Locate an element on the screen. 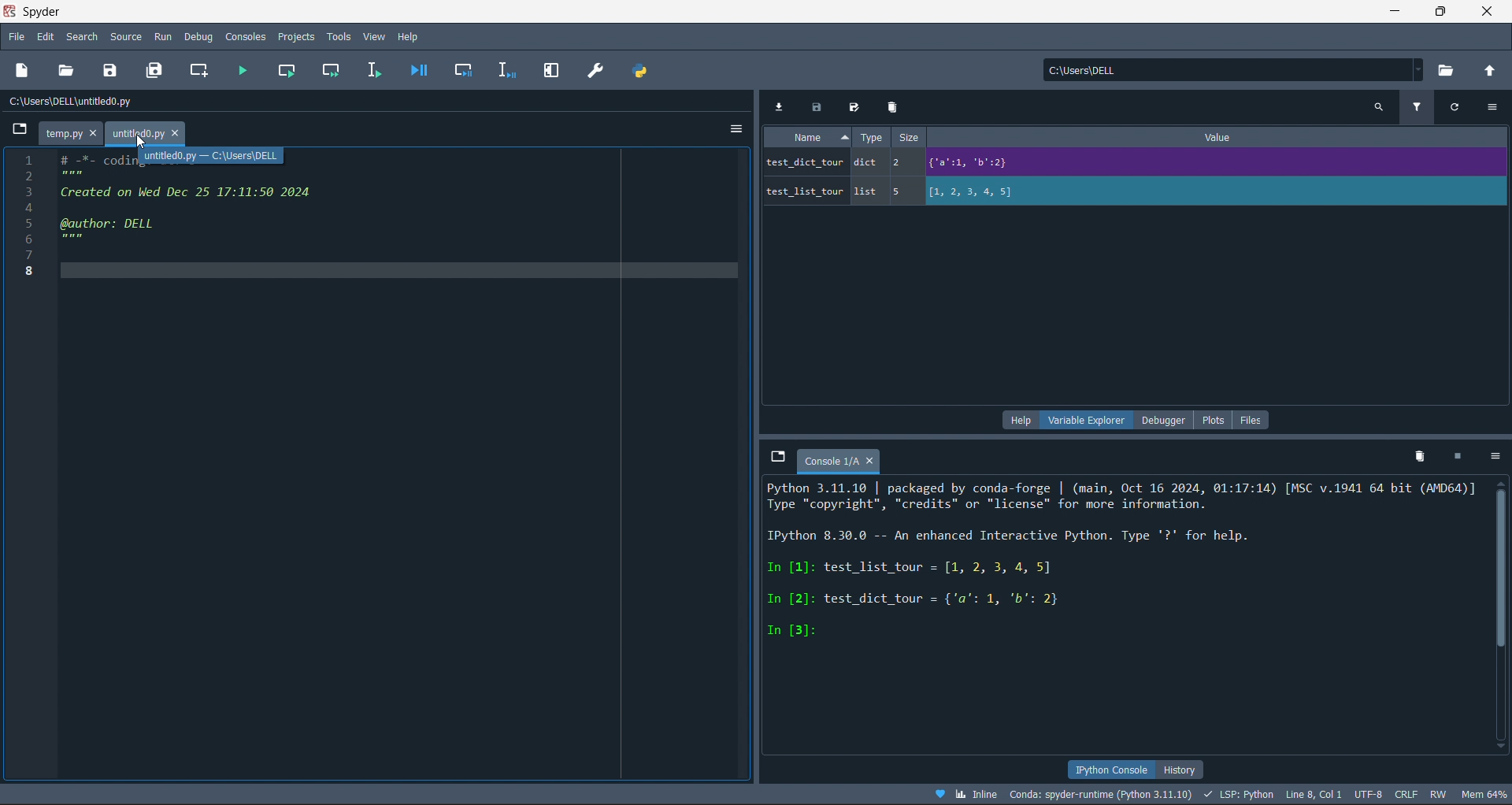  plots pane button is located at coordinates (1211, 421).